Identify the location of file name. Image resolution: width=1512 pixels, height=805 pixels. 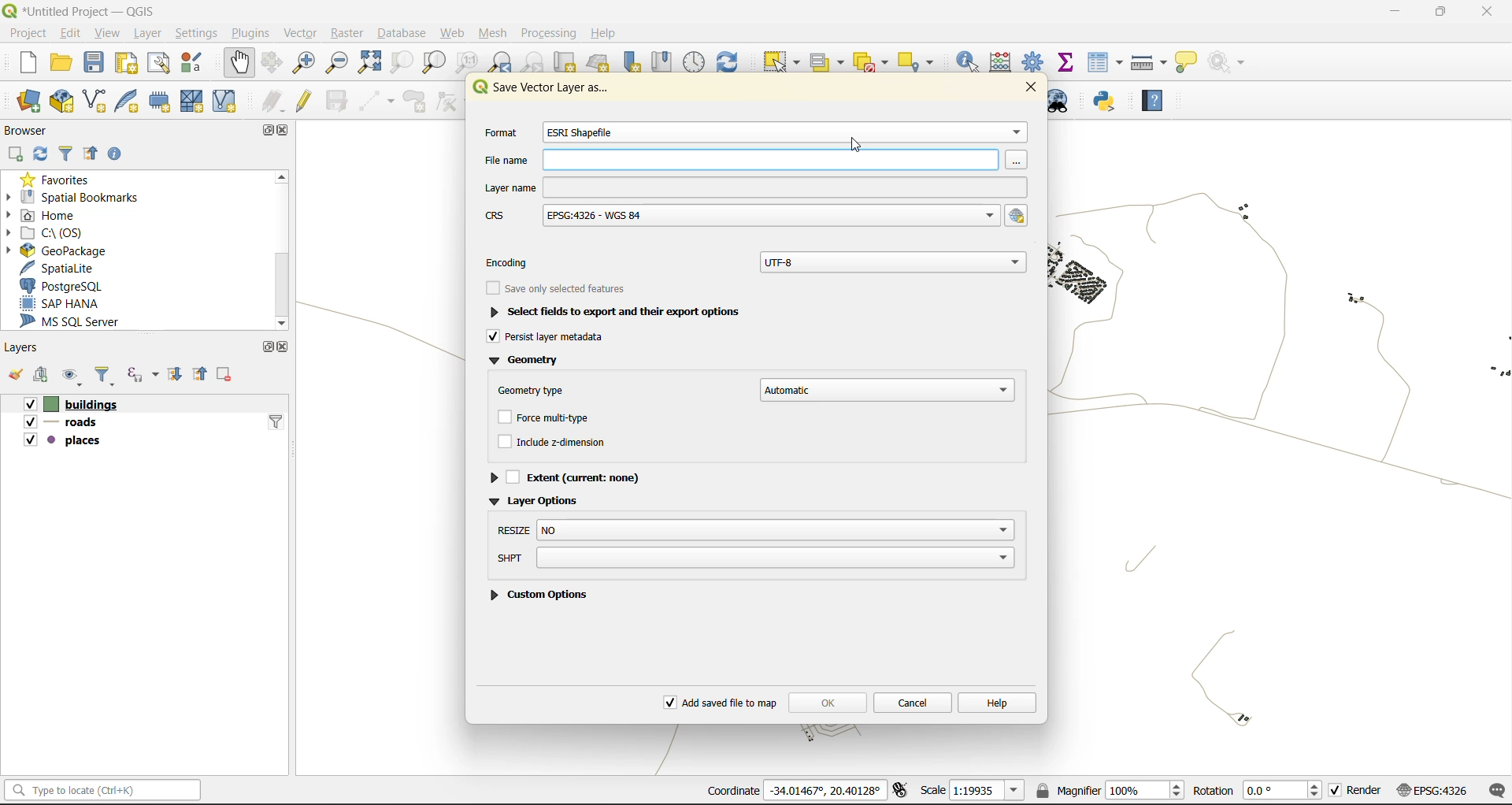
(754, 159).